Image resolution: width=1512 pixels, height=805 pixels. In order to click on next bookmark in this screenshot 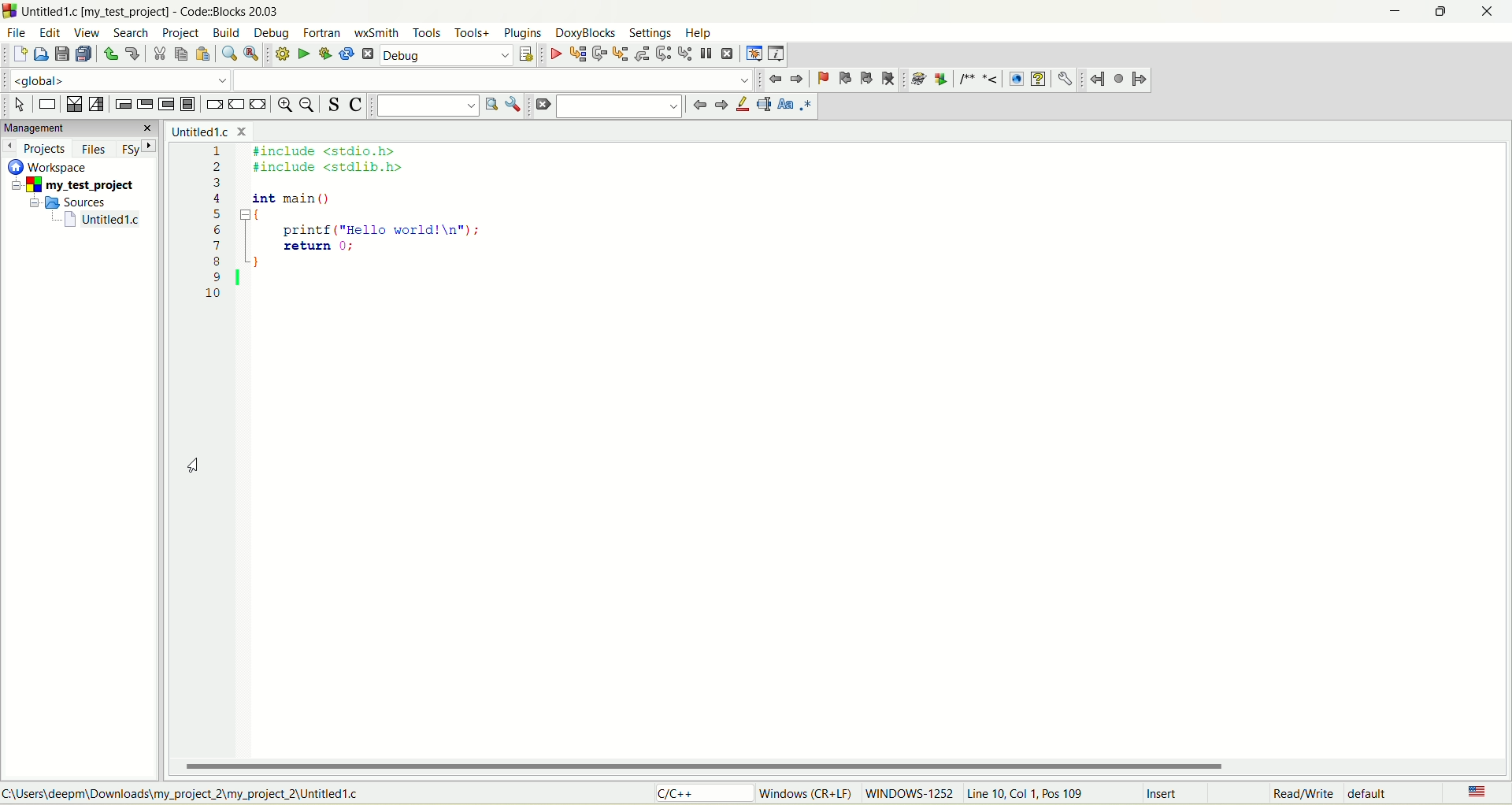, I will do `click(867, 79)`.